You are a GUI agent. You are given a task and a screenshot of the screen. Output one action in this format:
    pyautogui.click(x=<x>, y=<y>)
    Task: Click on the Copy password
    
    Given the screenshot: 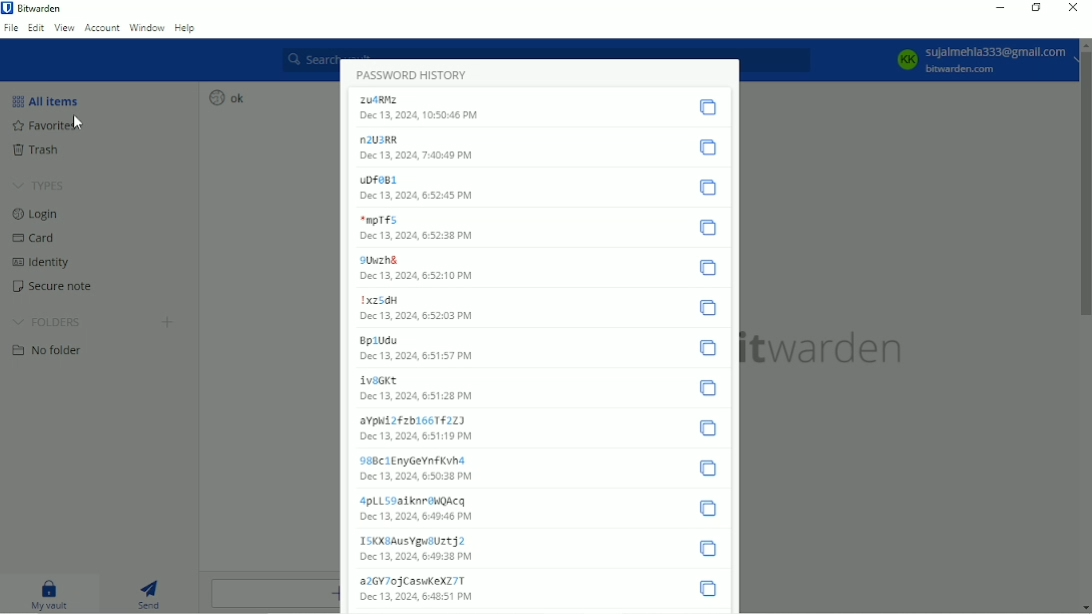 What is the action you would take?
    pyautogui.click(x=707, y=349)
    